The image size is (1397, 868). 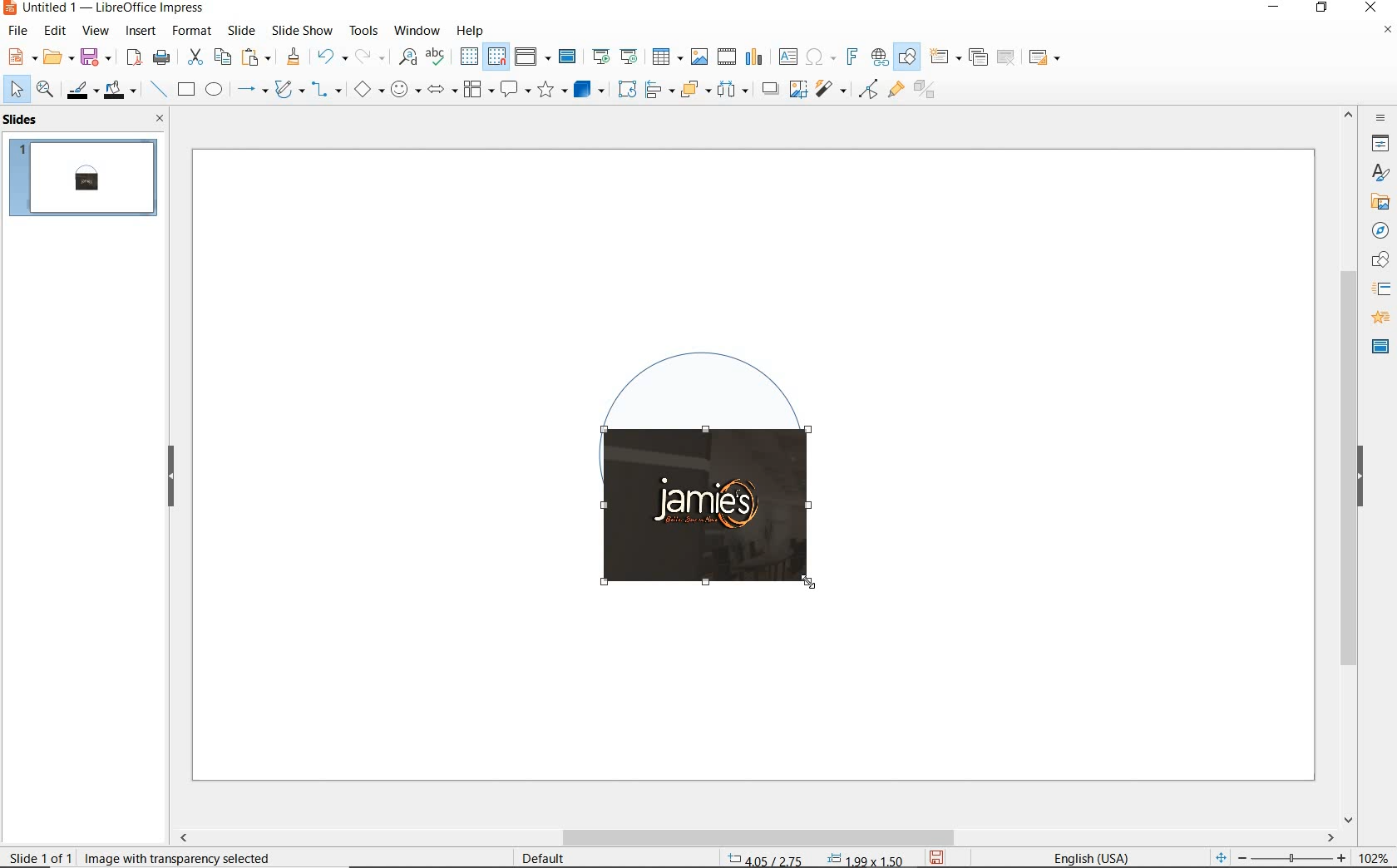 I want to click on minimize, so click(x=1276, y=9).